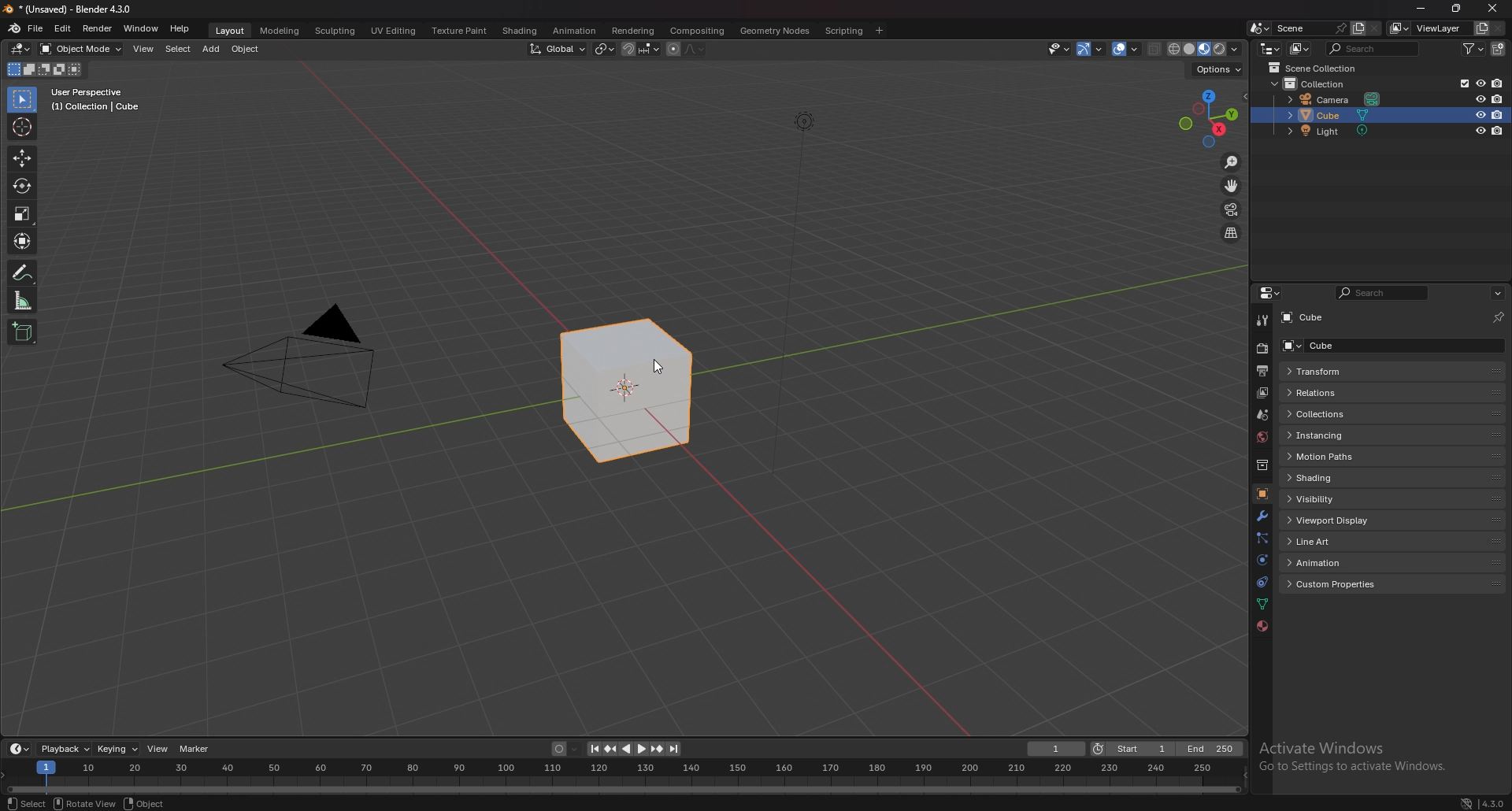 Image resolution: width=1512 pixels, height=811 pixels. I want to click on visibility, so click(1332, 498).